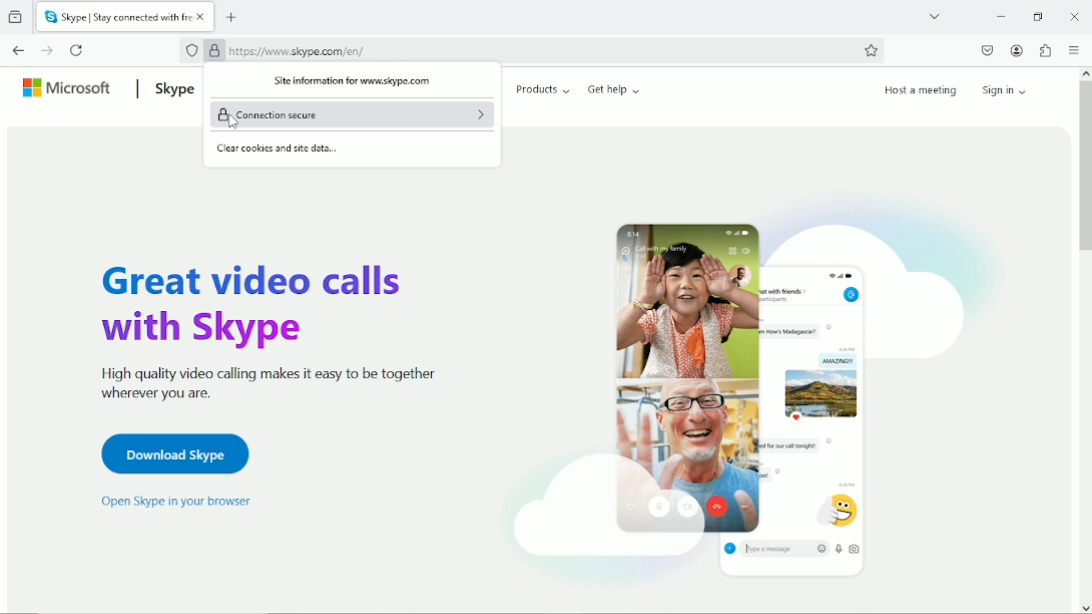 This screenshot has width=1092, height=614. I want to click on Connection secure, so click(352, 114).